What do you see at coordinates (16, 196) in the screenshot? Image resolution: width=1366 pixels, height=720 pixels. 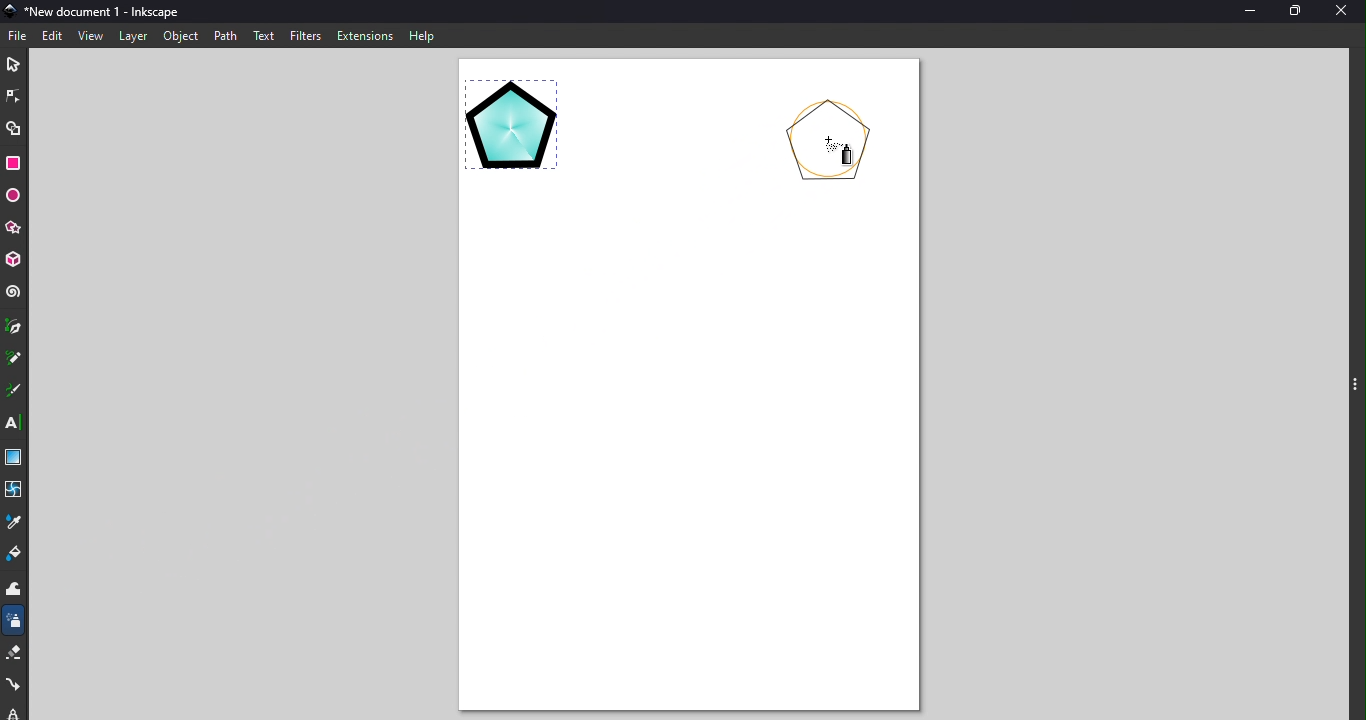 I see `Ellipse/arc tool` at bounding box center [16, 196].